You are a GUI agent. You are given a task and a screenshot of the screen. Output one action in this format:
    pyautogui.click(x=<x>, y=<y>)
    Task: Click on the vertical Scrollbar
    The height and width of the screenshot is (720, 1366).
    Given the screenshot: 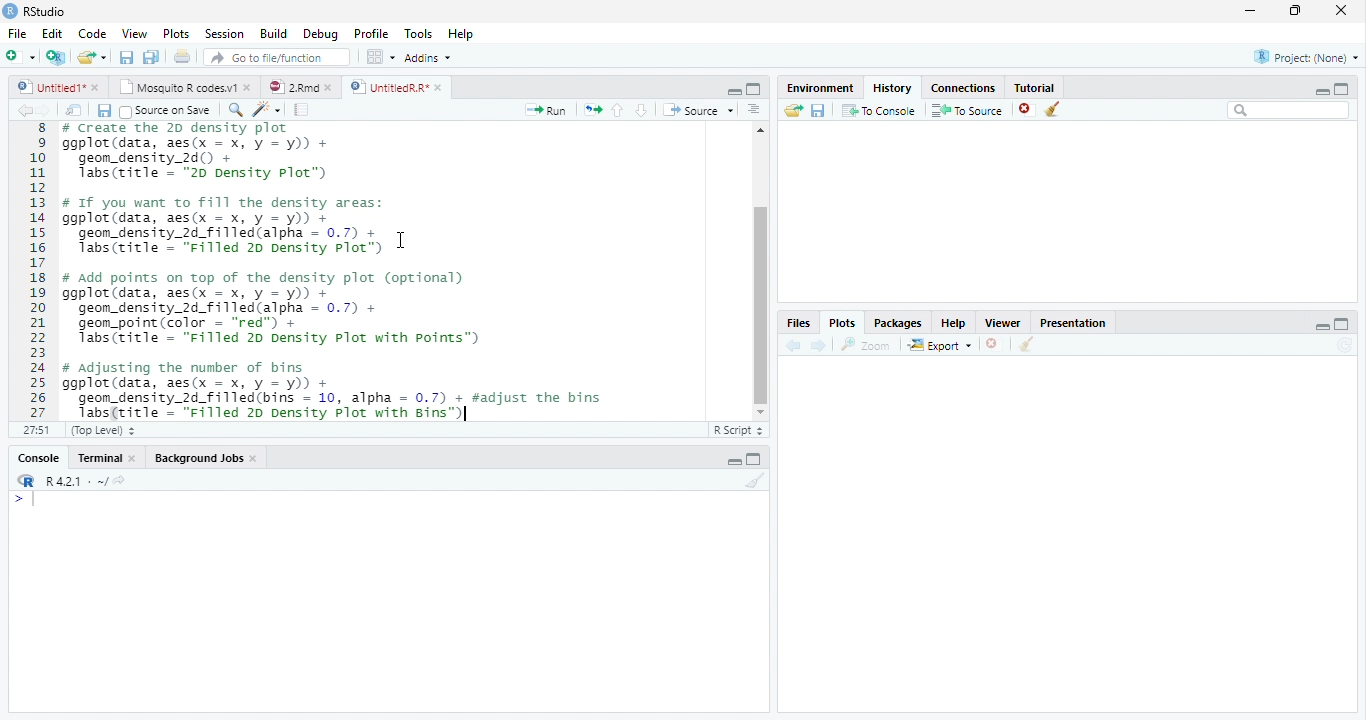 What is the action you would take?
    pyautogui.click(x=761, y=305)
    